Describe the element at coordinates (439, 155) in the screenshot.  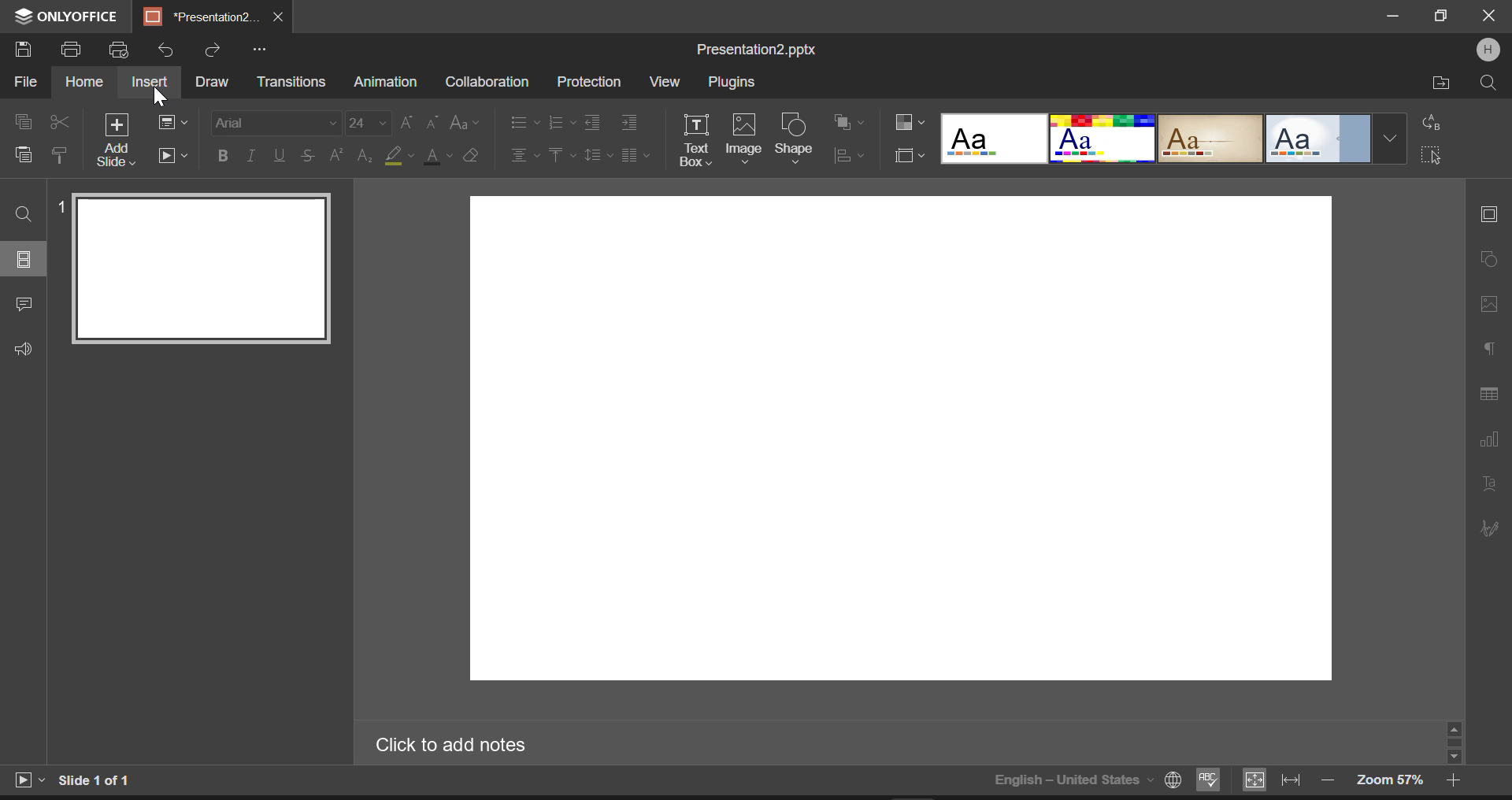
I see `Font Color` at that location.